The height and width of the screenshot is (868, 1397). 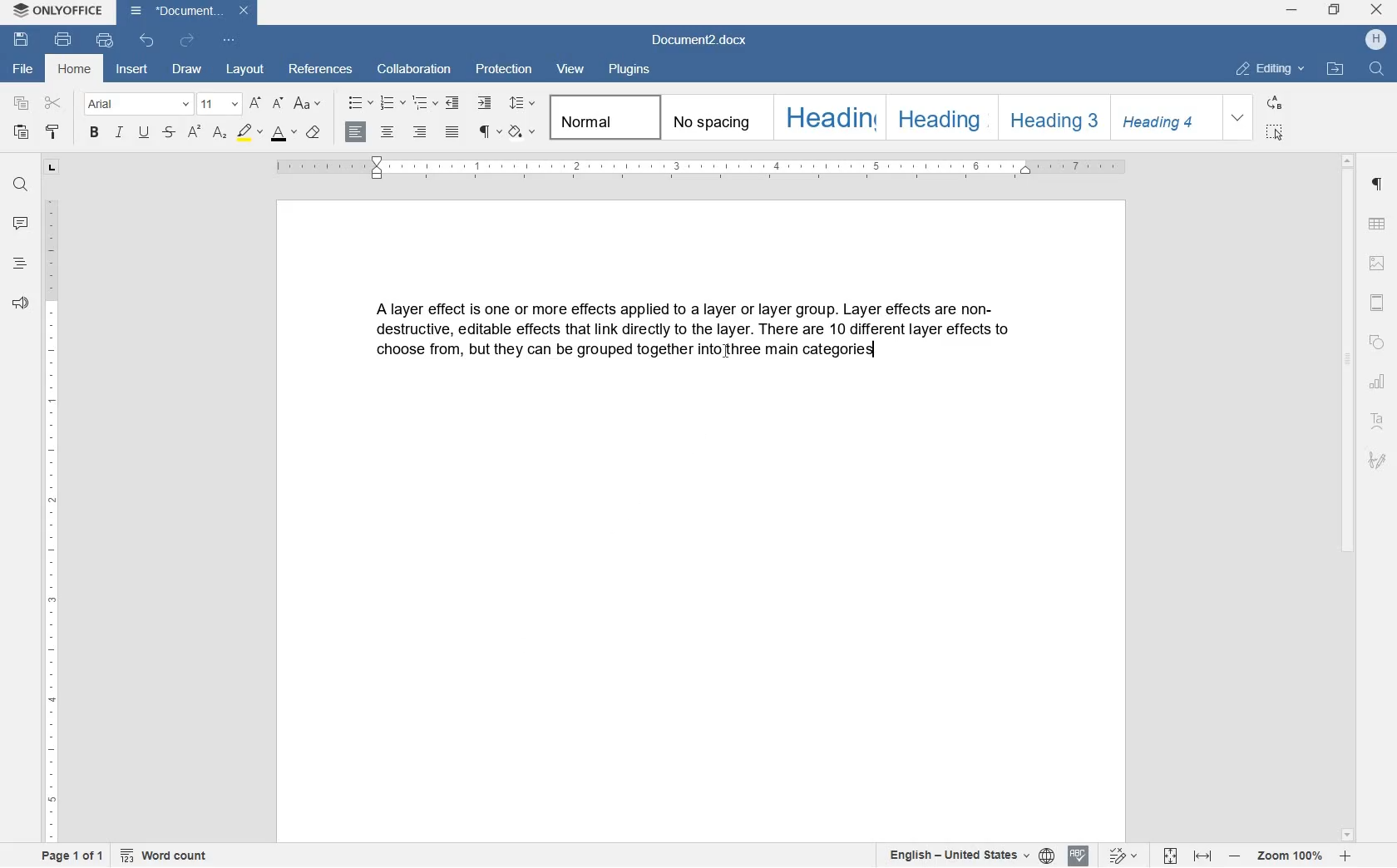 What do you see at coordinates (313, 131) in the screenshot?
I see `case style` at bounding box center [313, 131].